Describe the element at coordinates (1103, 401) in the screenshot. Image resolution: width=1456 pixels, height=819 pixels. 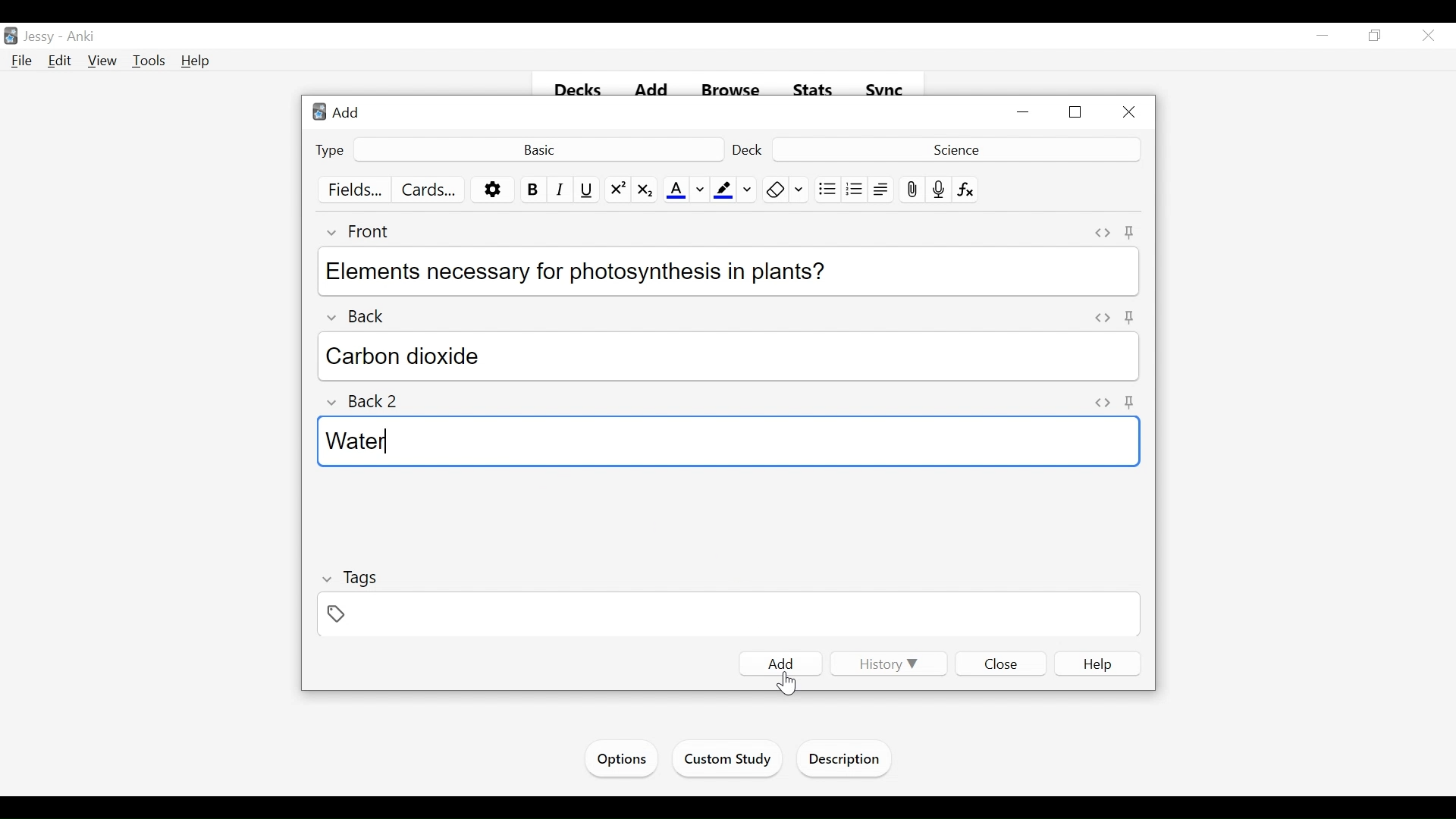
I see `Toggle HTML Editor` at that location.